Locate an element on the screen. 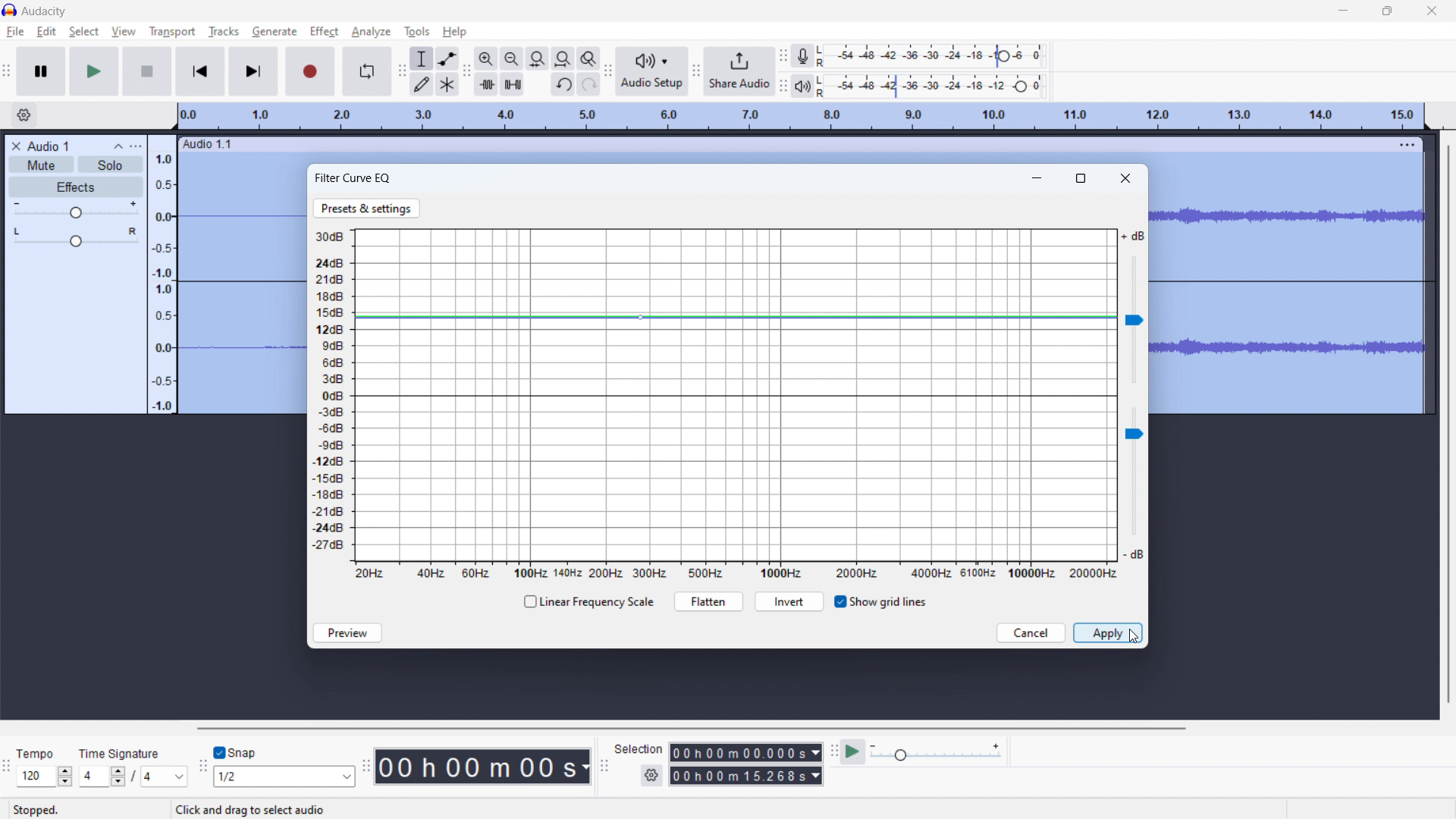 Image resolution: width=1456 pixels, height=819 pixels. transport is located at coordinates (173, 30).